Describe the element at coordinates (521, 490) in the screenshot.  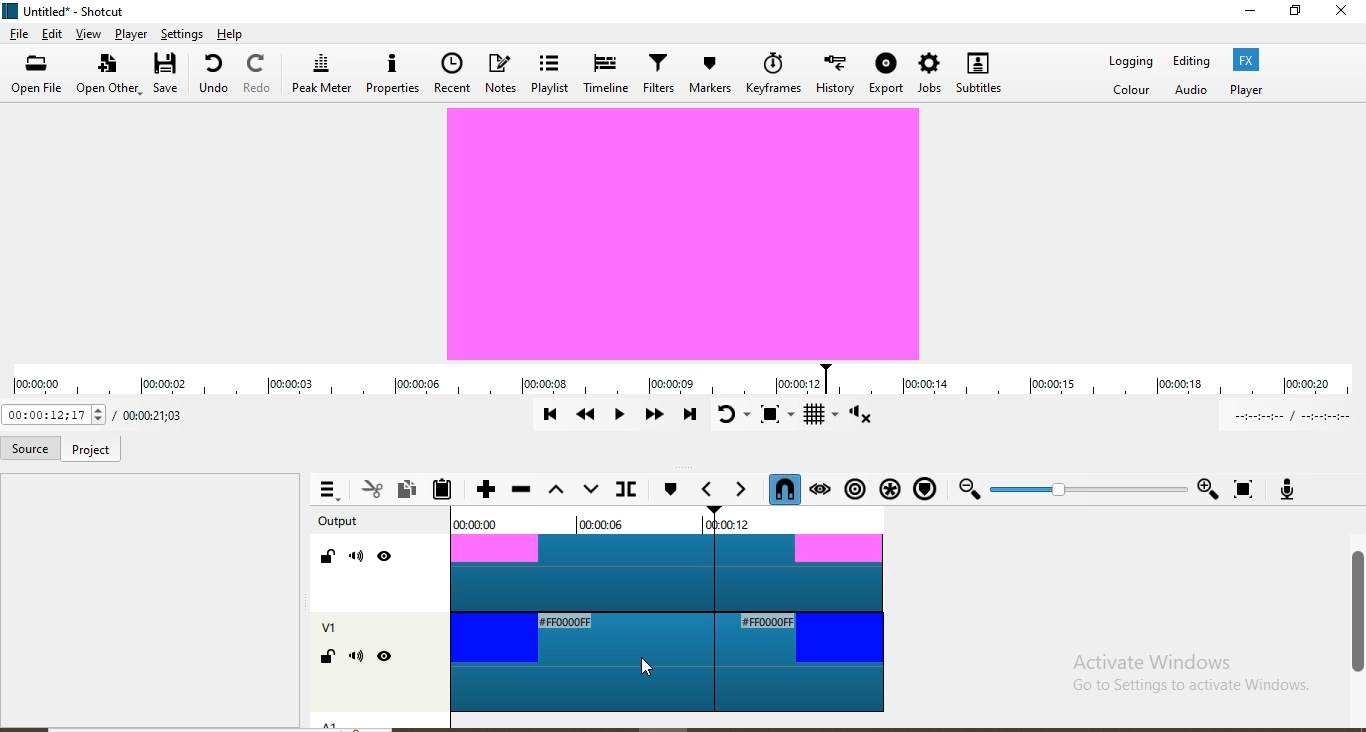
I see `Ripple delete` at that location.